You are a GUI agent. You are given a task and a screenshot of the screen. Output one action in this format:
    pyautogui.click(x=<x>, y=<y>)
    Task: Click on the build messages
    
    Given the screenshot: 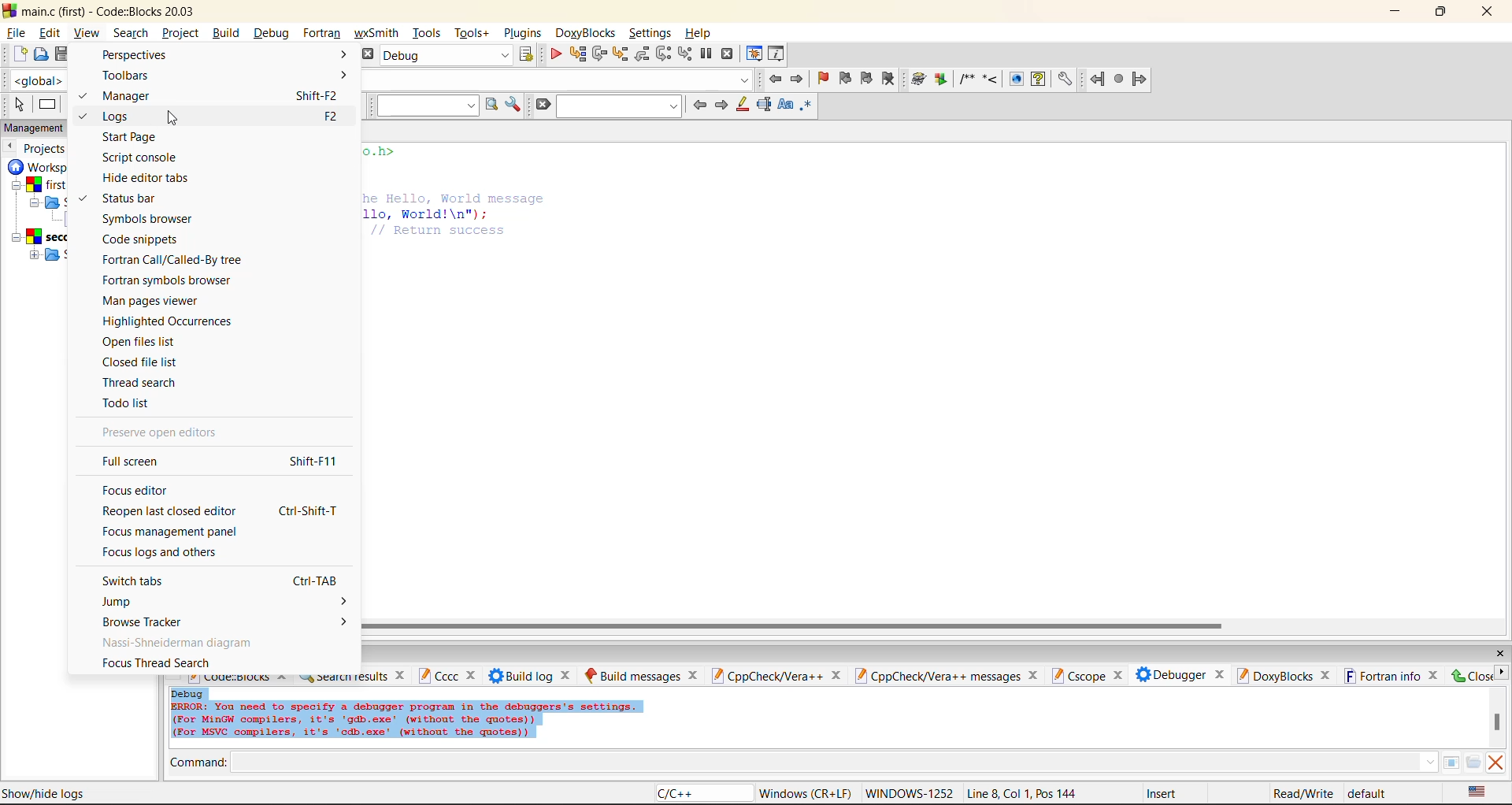 What is the action you would take?
    pyautogui.click(x=642, y=674)
    